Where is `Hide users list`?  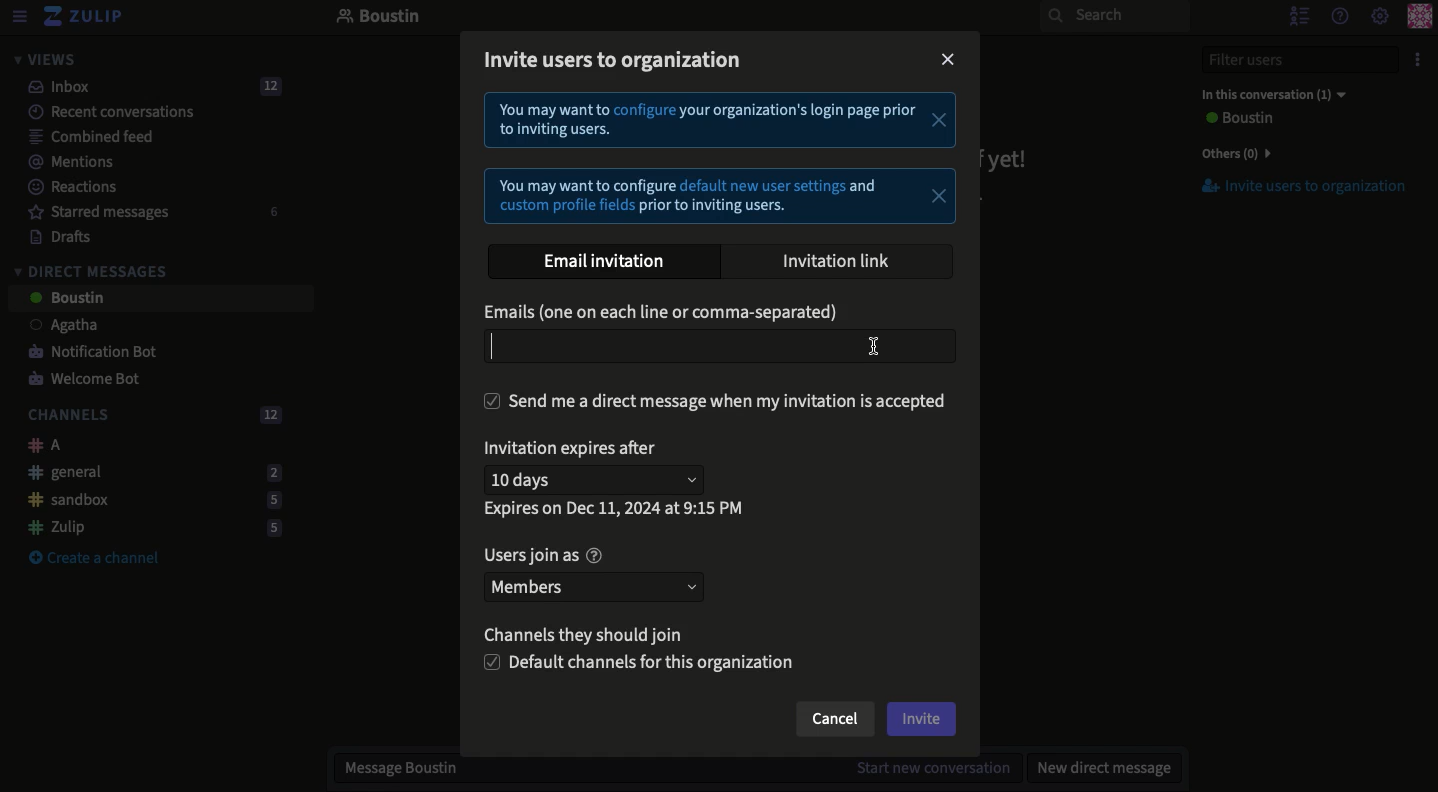 Hide users list is located at coordinates (1297, 15).